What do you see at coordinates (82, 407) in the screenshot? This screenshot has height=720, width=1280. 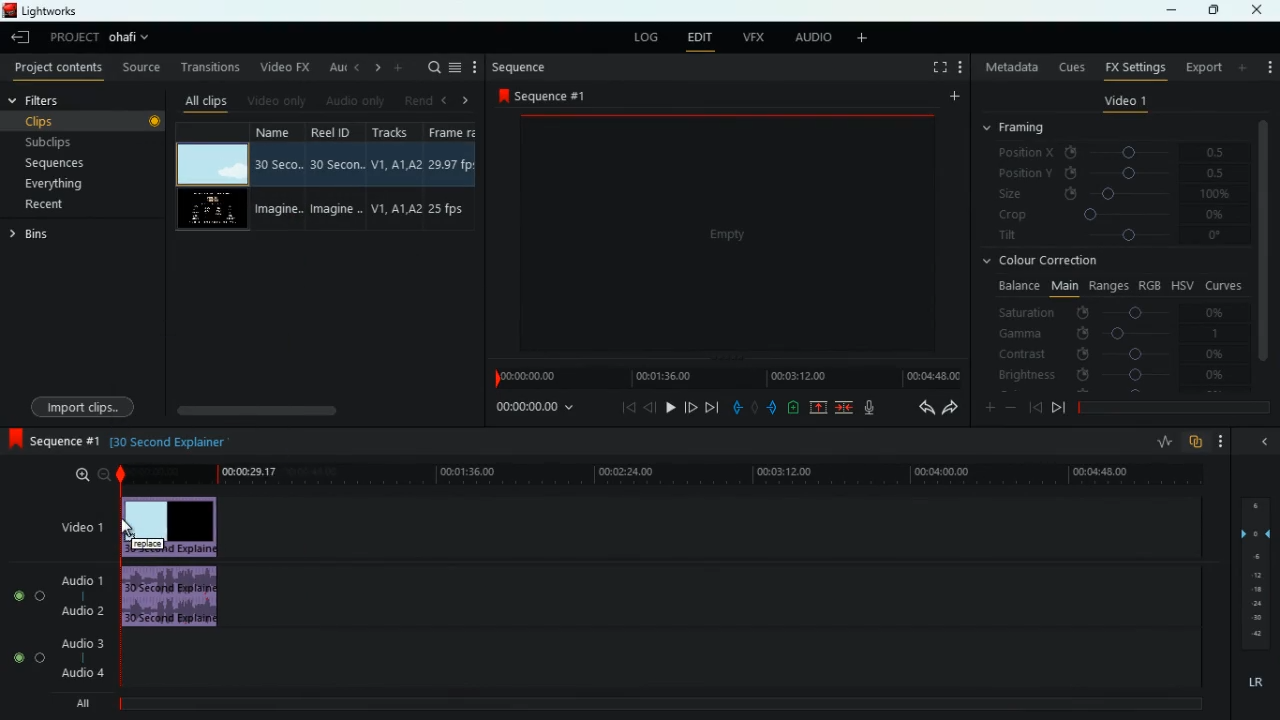 I see `import clips` at bounding box center [82, 407].